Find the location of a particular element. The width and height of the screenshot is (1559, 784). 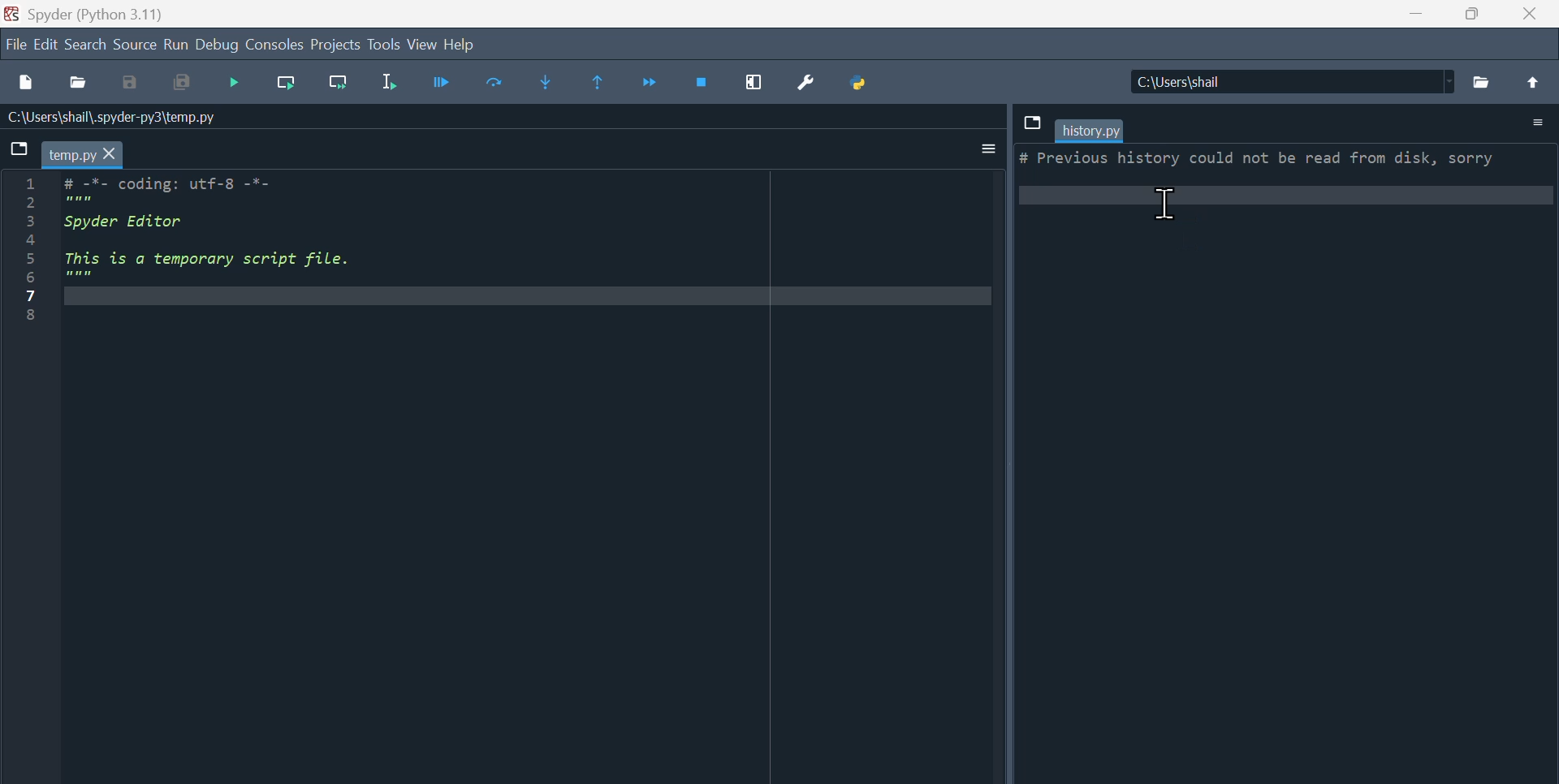

Run current line is located at coordinates (499, 84).